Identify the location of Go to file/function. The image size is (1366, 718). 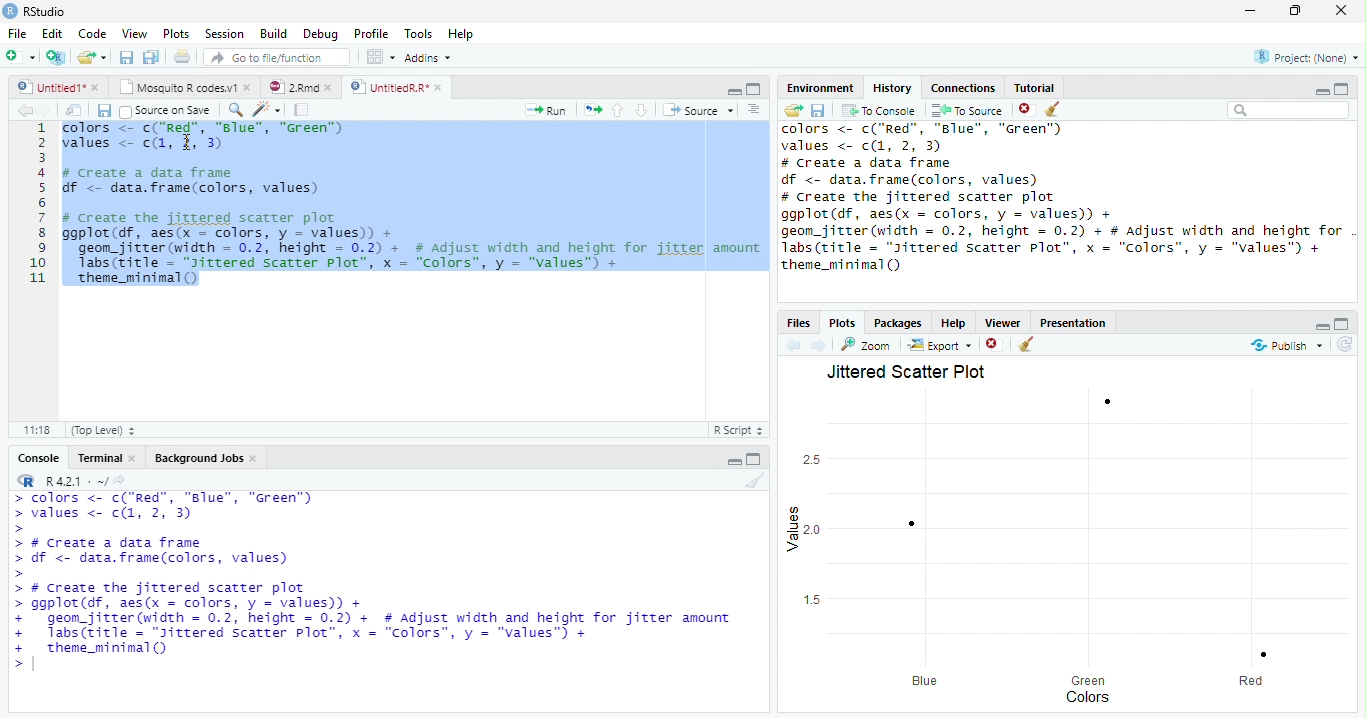
(277, 57).